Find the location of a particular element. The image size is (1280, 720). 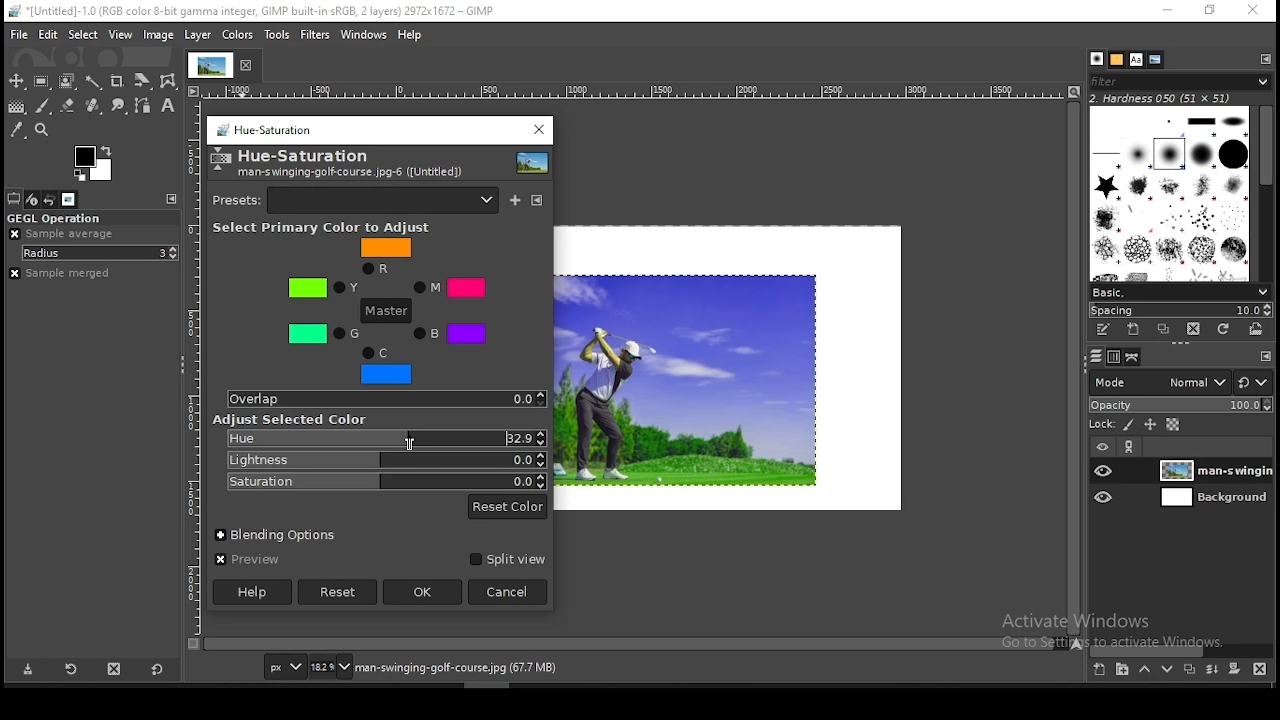

wrap transform is located at coordinates (168, 82).